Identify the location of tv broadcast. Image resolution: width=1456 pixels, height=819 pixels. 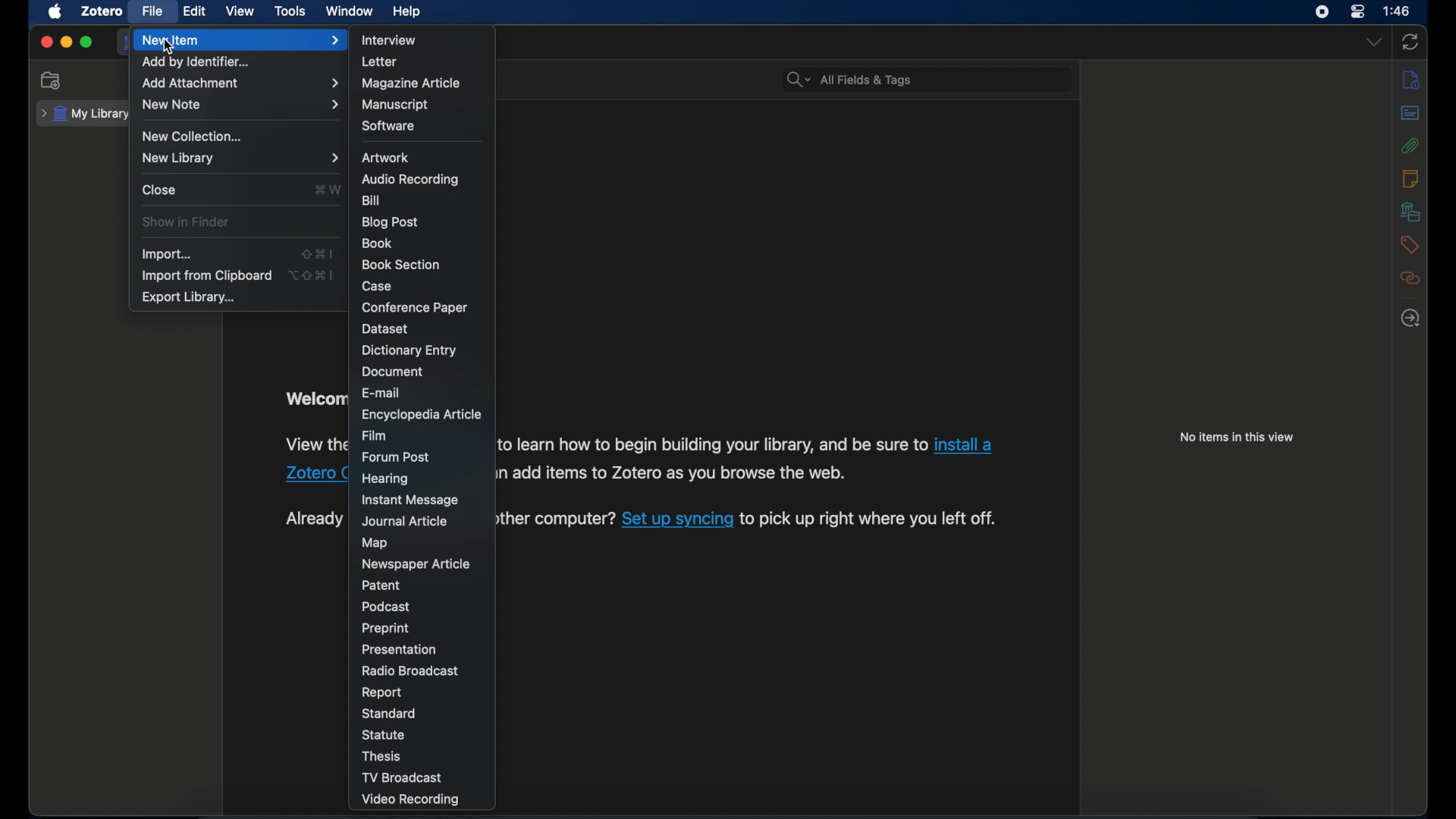
(401, 777).